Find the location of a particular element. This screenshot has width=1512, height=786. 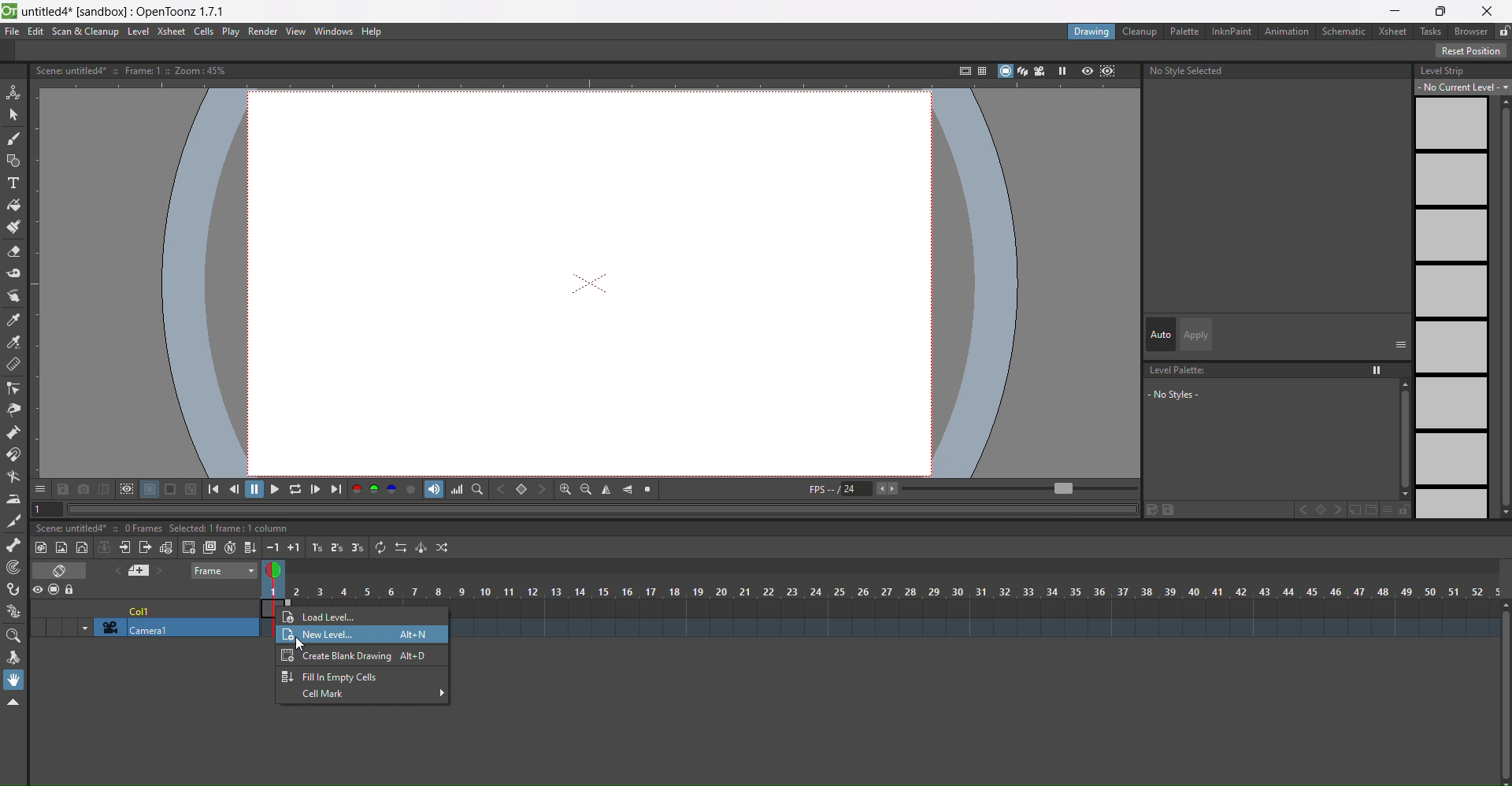

b is located at coordinates (1471, 31).